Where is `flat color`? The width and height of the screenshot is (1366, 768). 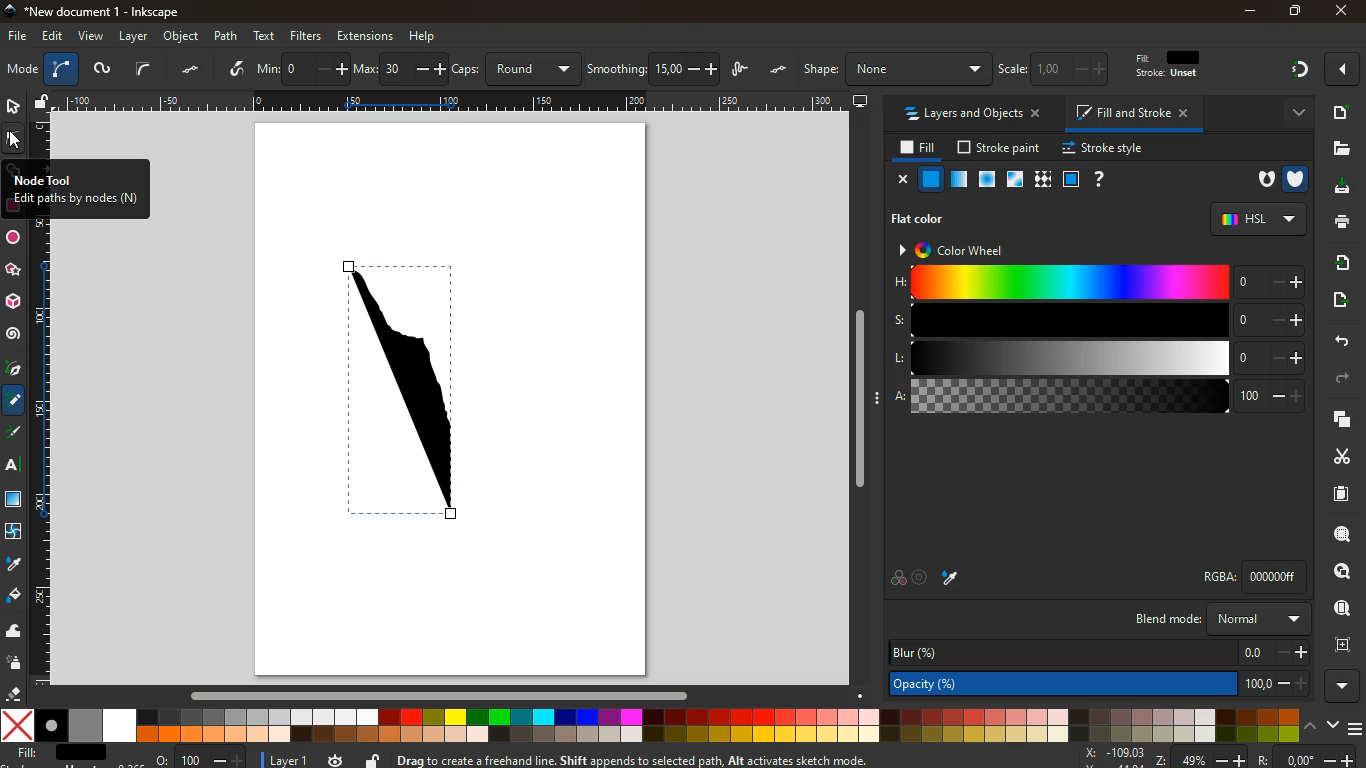
flat color is located at coordinates (925, 218).